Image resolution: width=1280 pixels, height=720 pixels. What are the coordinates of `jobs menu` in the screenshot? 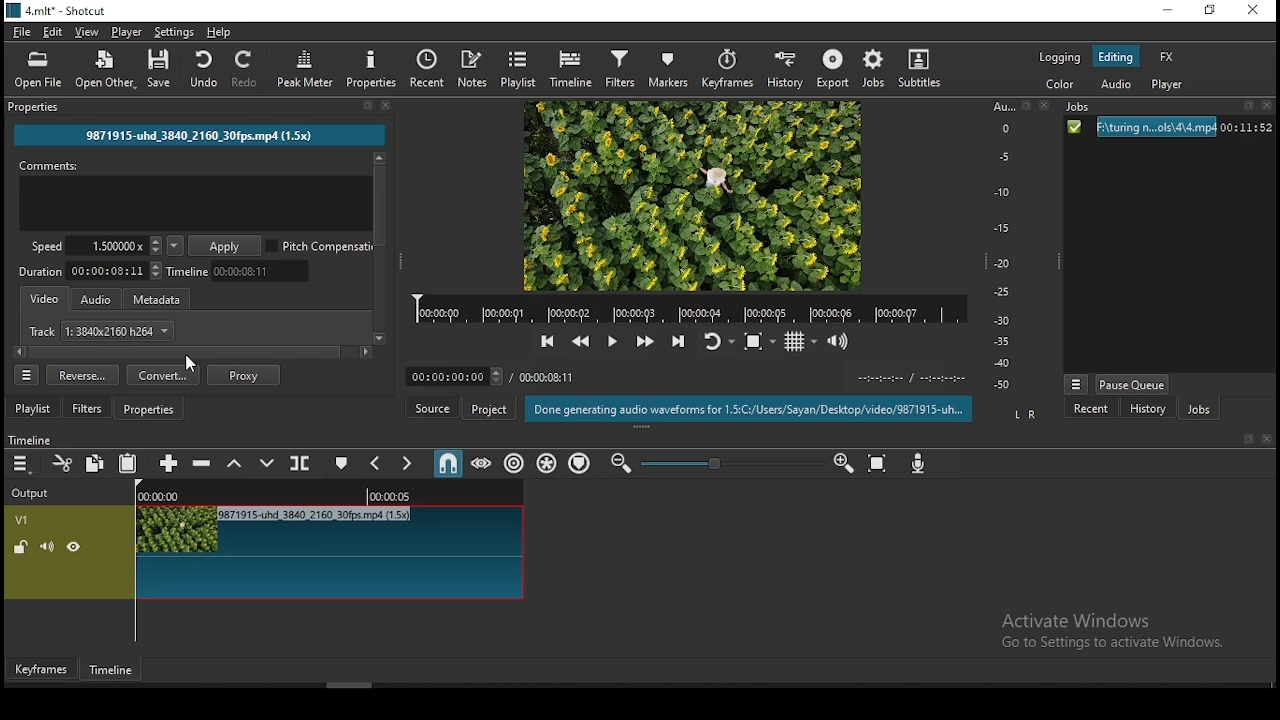 It's located at (1074, 386).